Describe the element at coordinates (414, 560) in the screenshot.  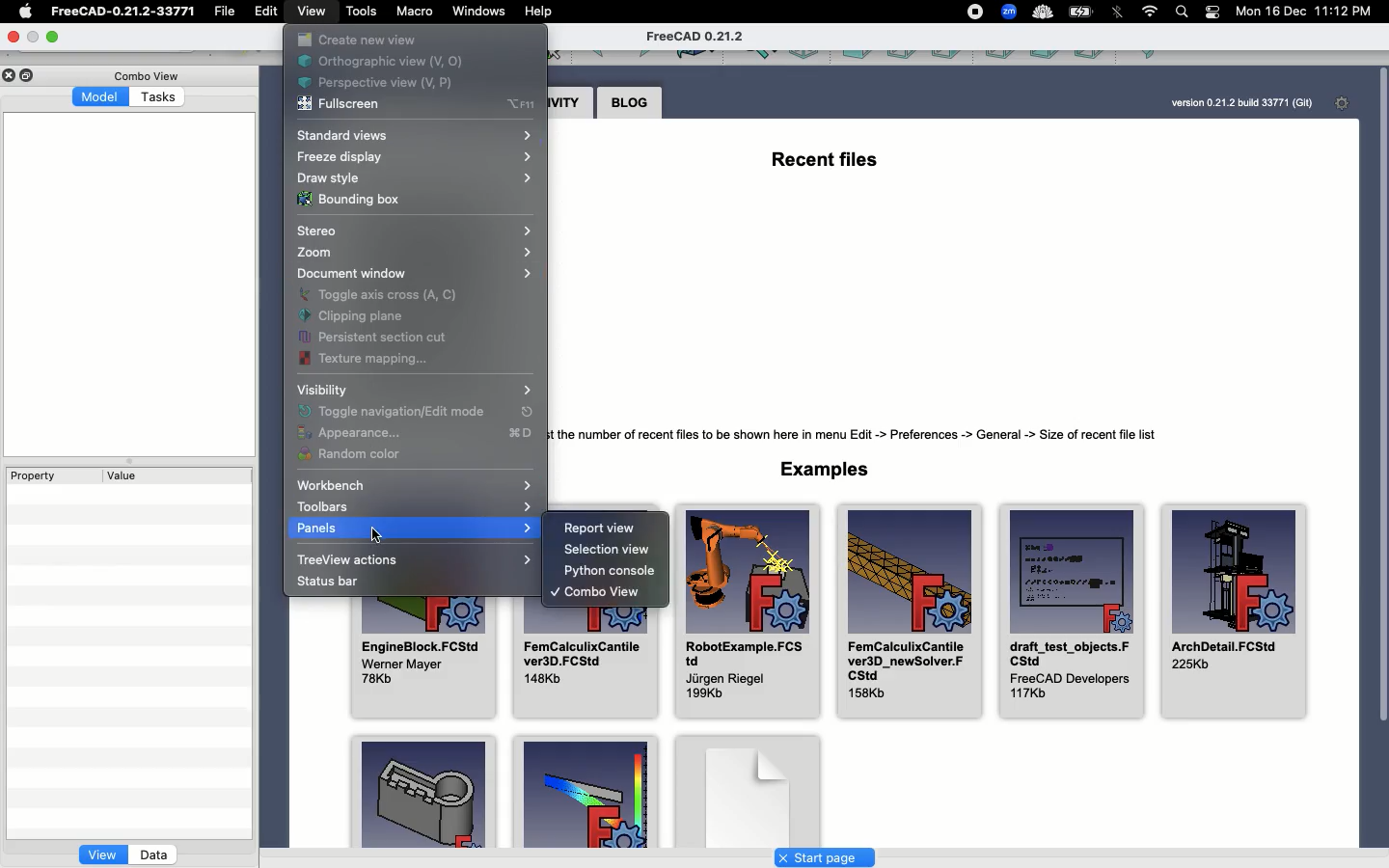
I see `TreeView actions` at that location.